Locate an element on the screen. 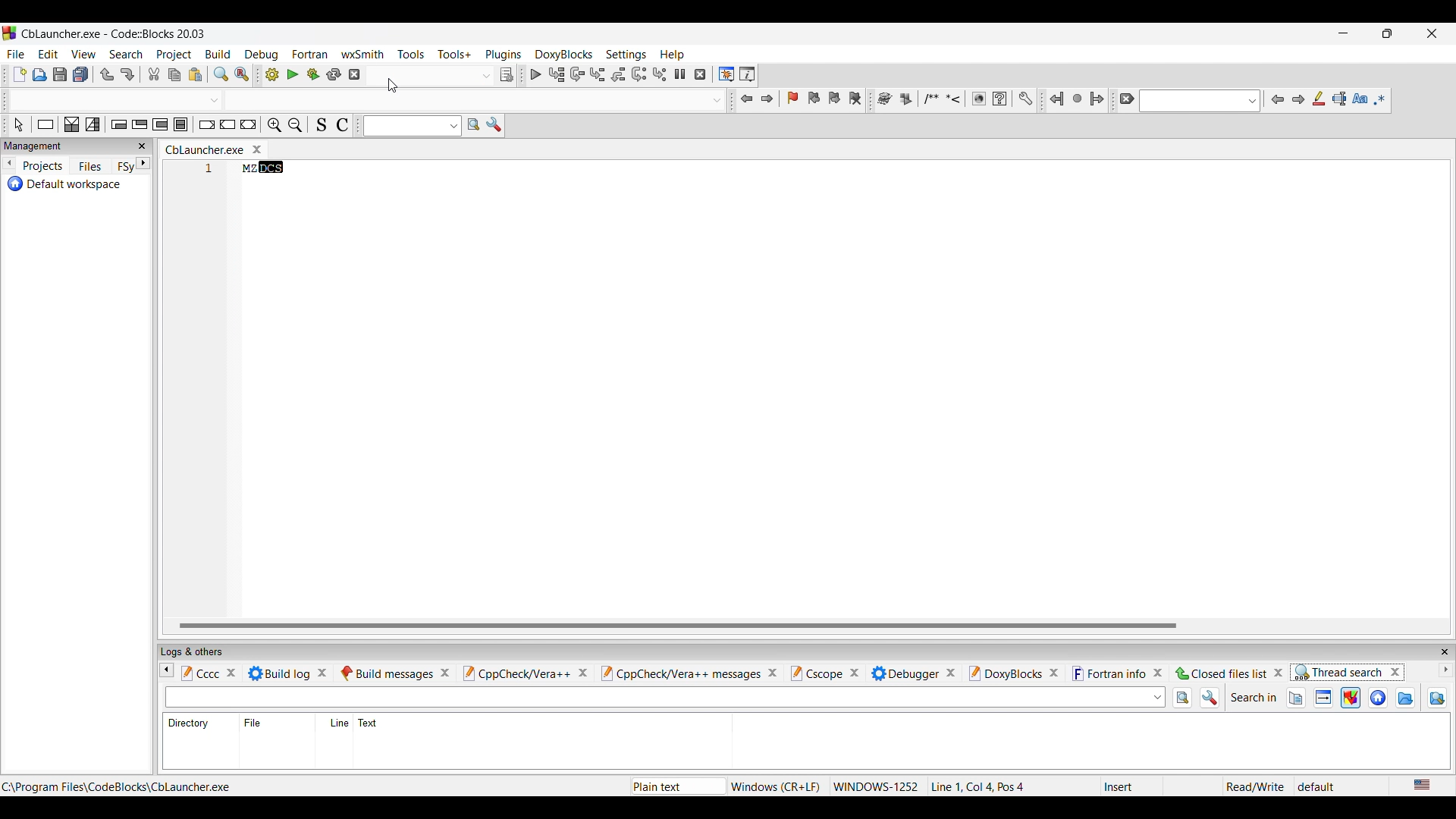 This screenshot has width=1456, height=819. Next instruction is located at coordinates (639, 74).